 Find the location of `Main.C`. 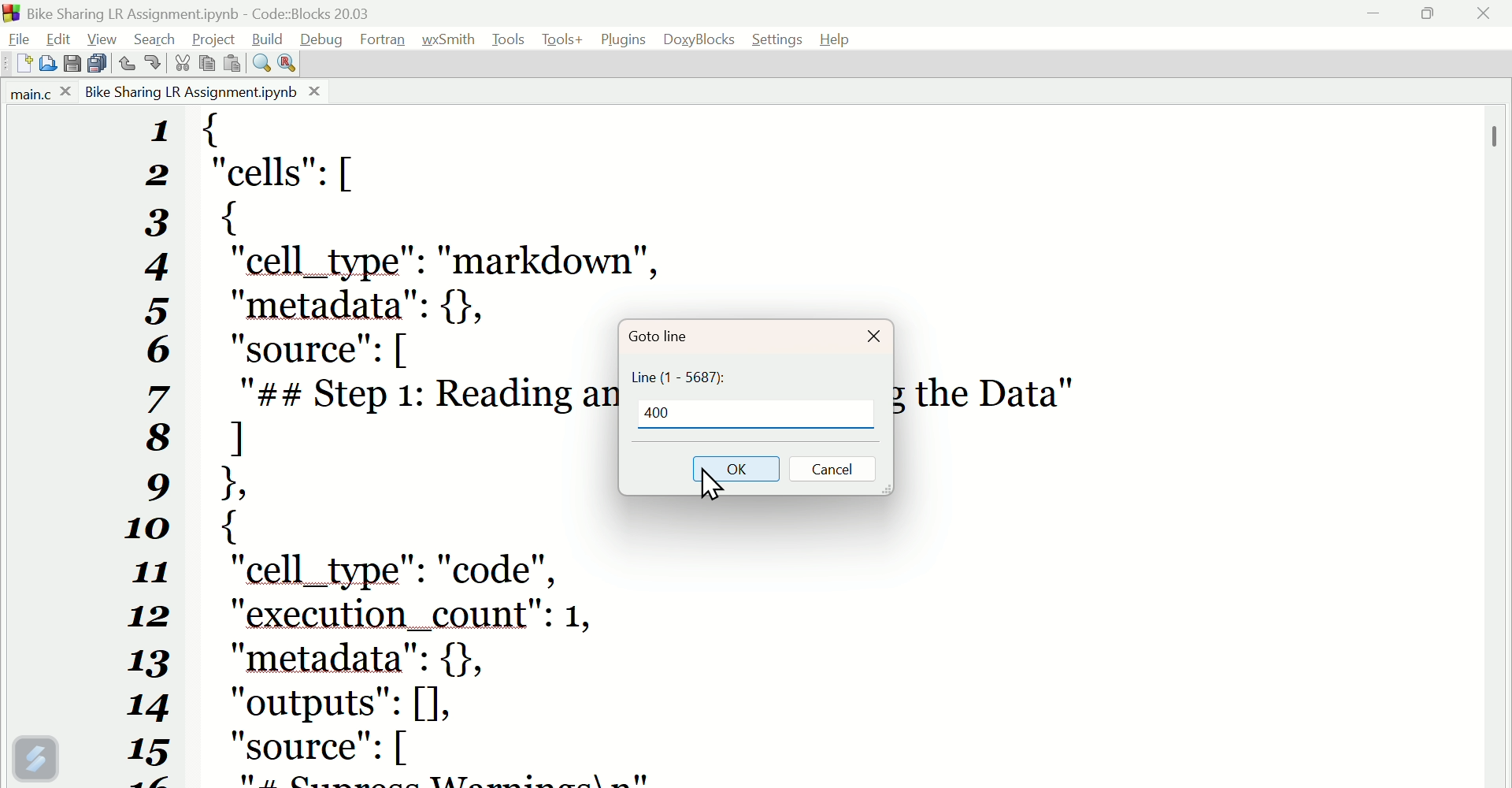

Main.C is located at coordinates (37, 94).